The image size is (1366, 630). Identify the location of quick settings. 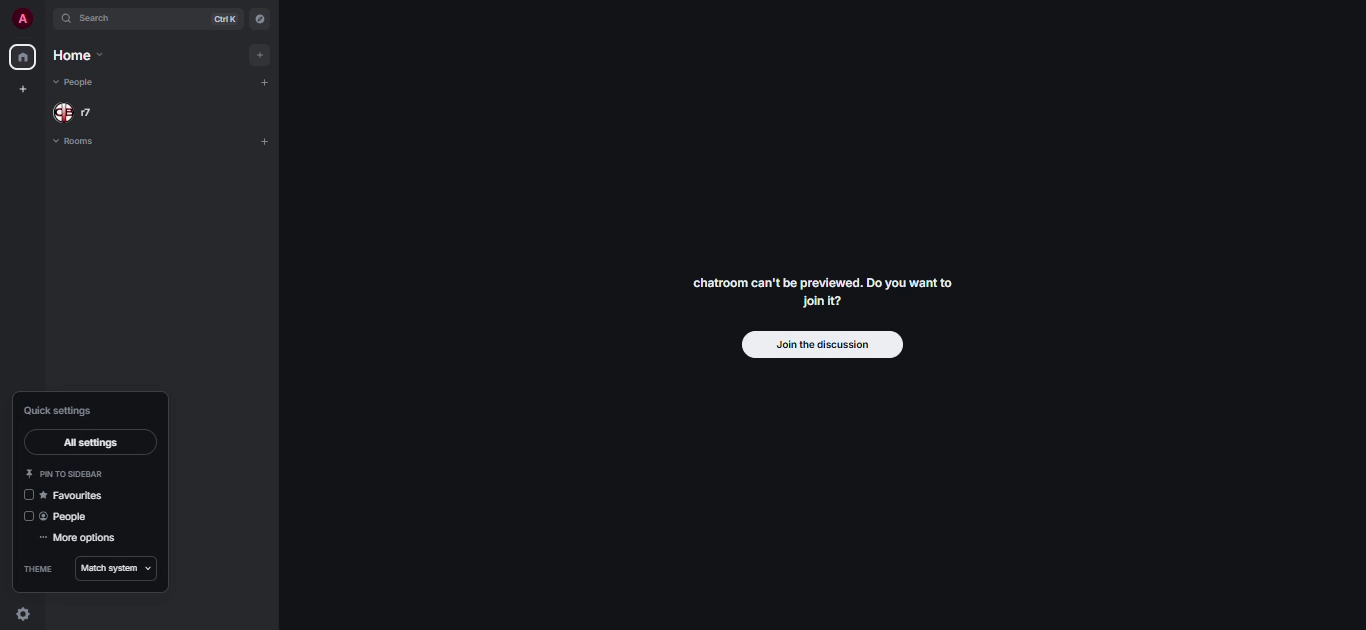
(58, 409).